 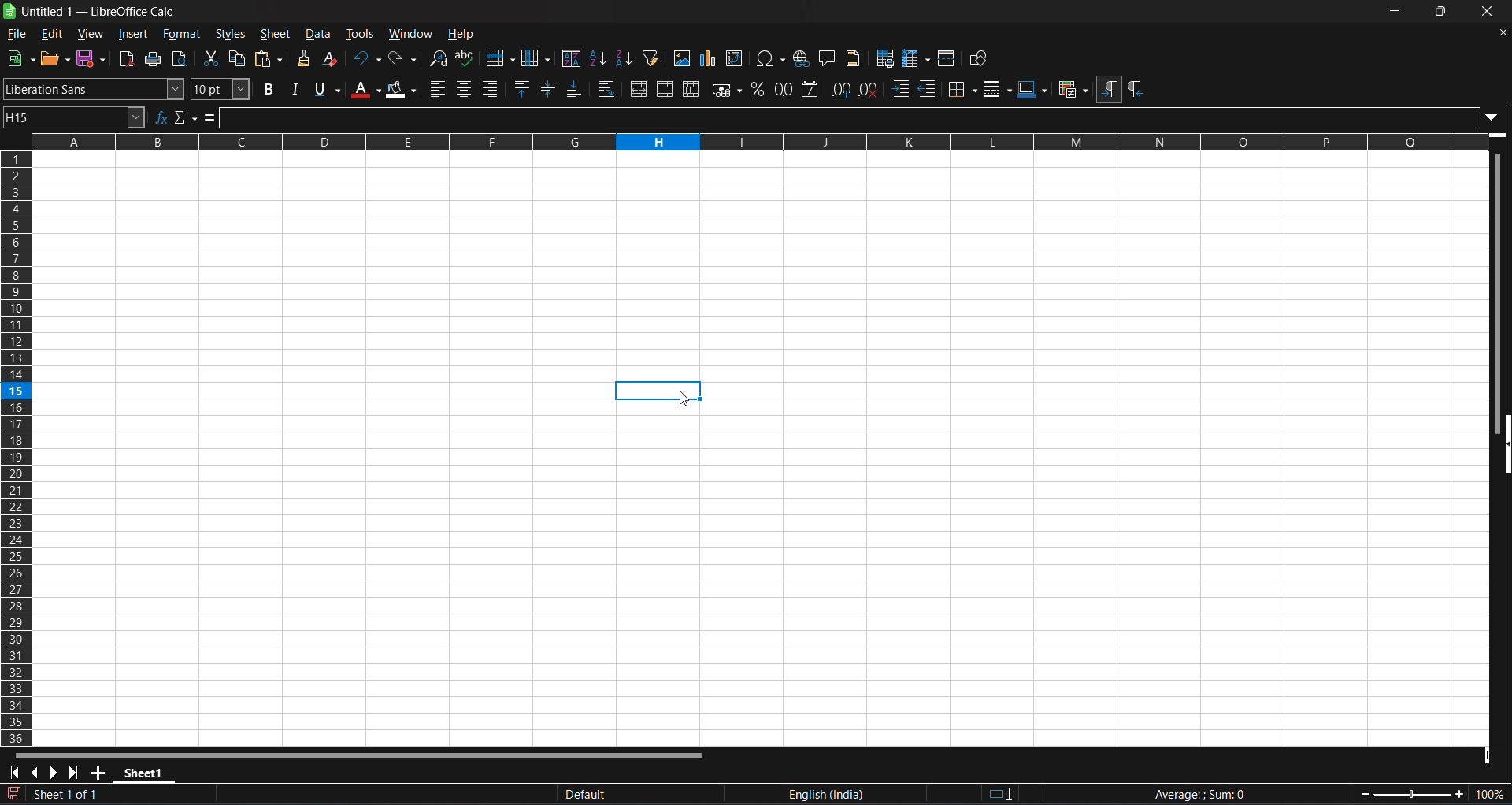 I want to click on scroll to first sheet, so click(x=15, y=773).